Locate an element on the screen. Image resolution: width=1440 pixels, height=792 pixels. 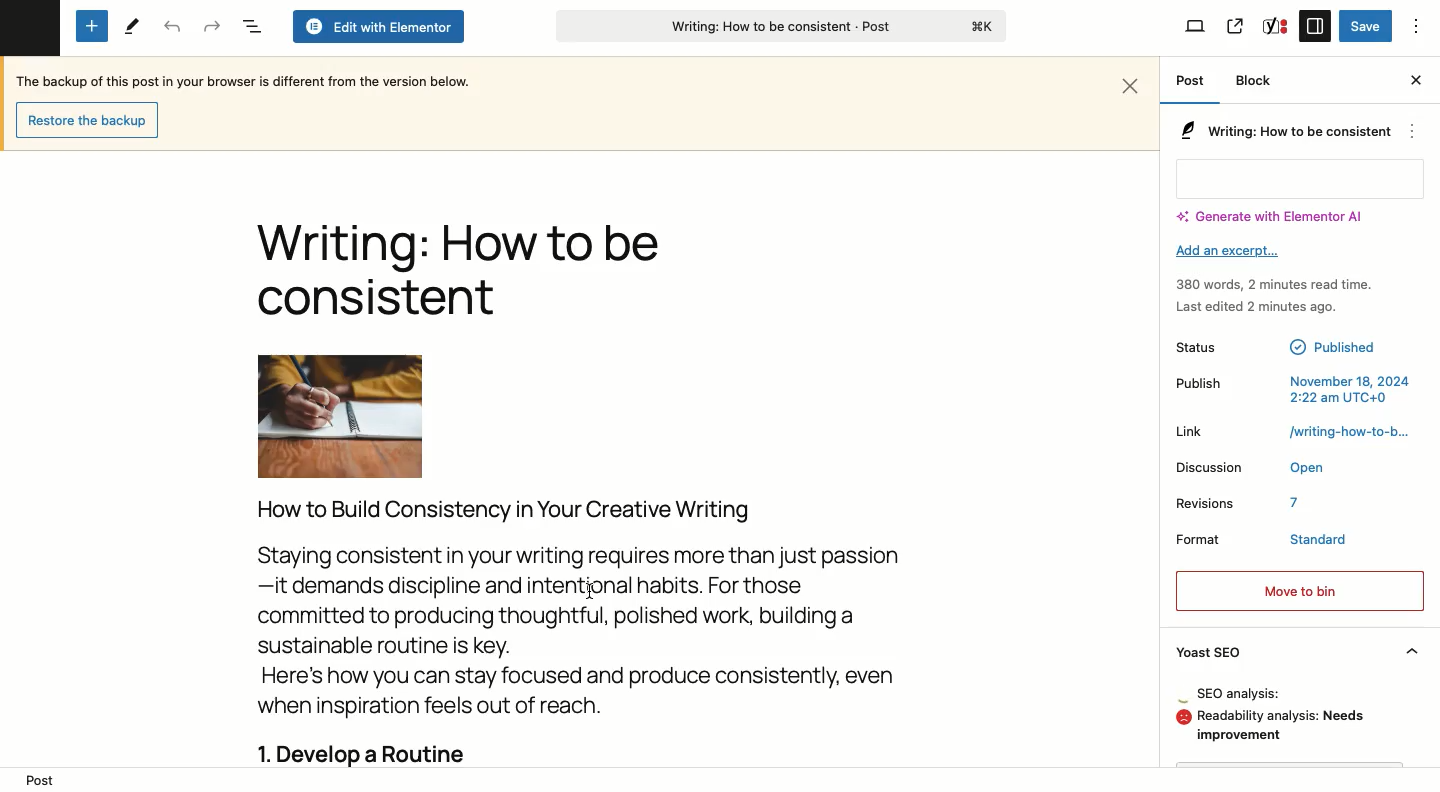
Yoast is located at coordinates (1276, 25).